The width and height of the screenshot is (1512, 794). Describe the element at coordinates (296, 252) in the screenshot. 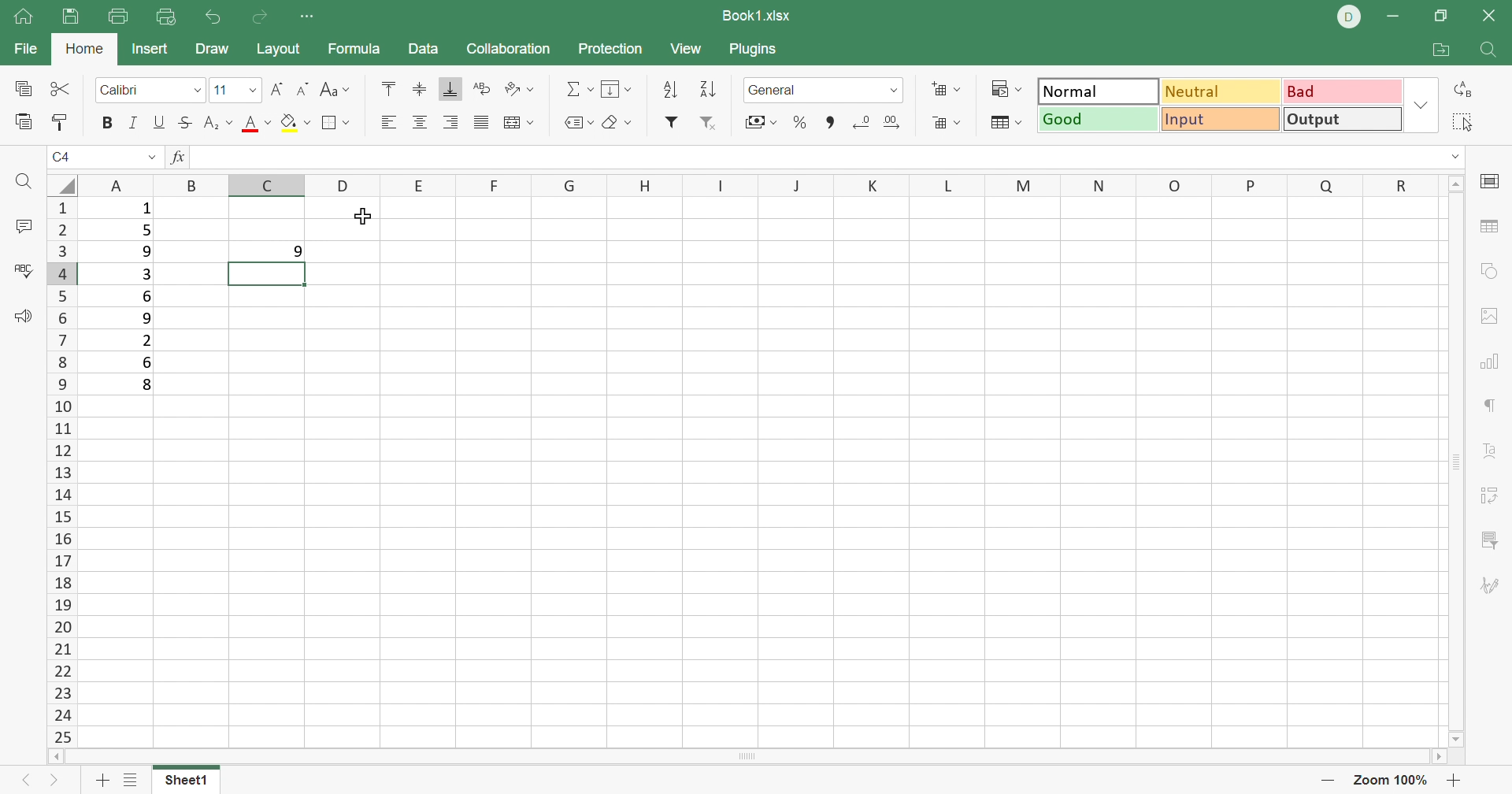

I see `9` at that location.